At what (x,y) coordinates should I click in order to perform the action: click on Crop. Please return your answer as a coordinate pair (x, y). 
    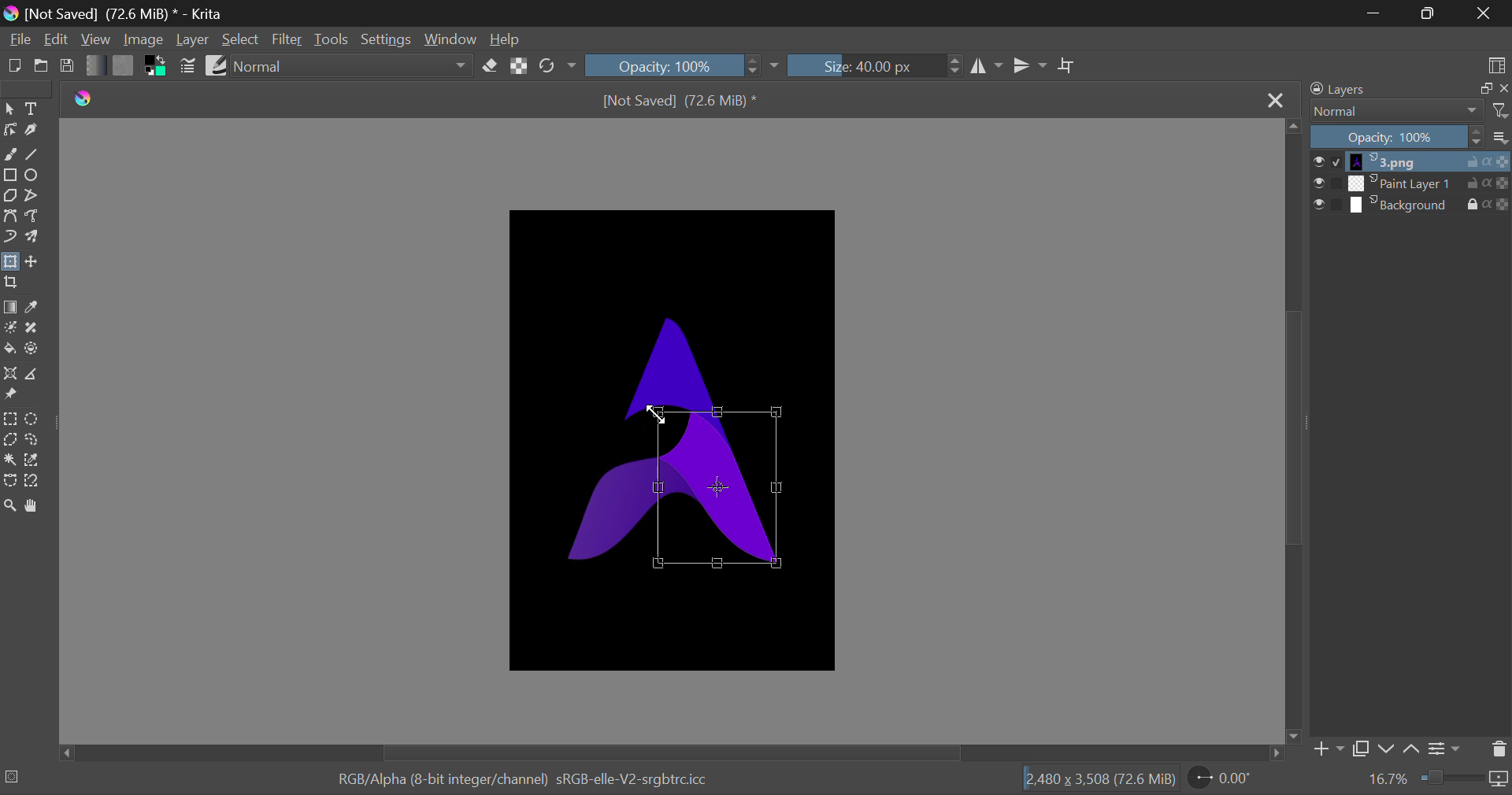
    Looking at the image, I should click on (13, 283).